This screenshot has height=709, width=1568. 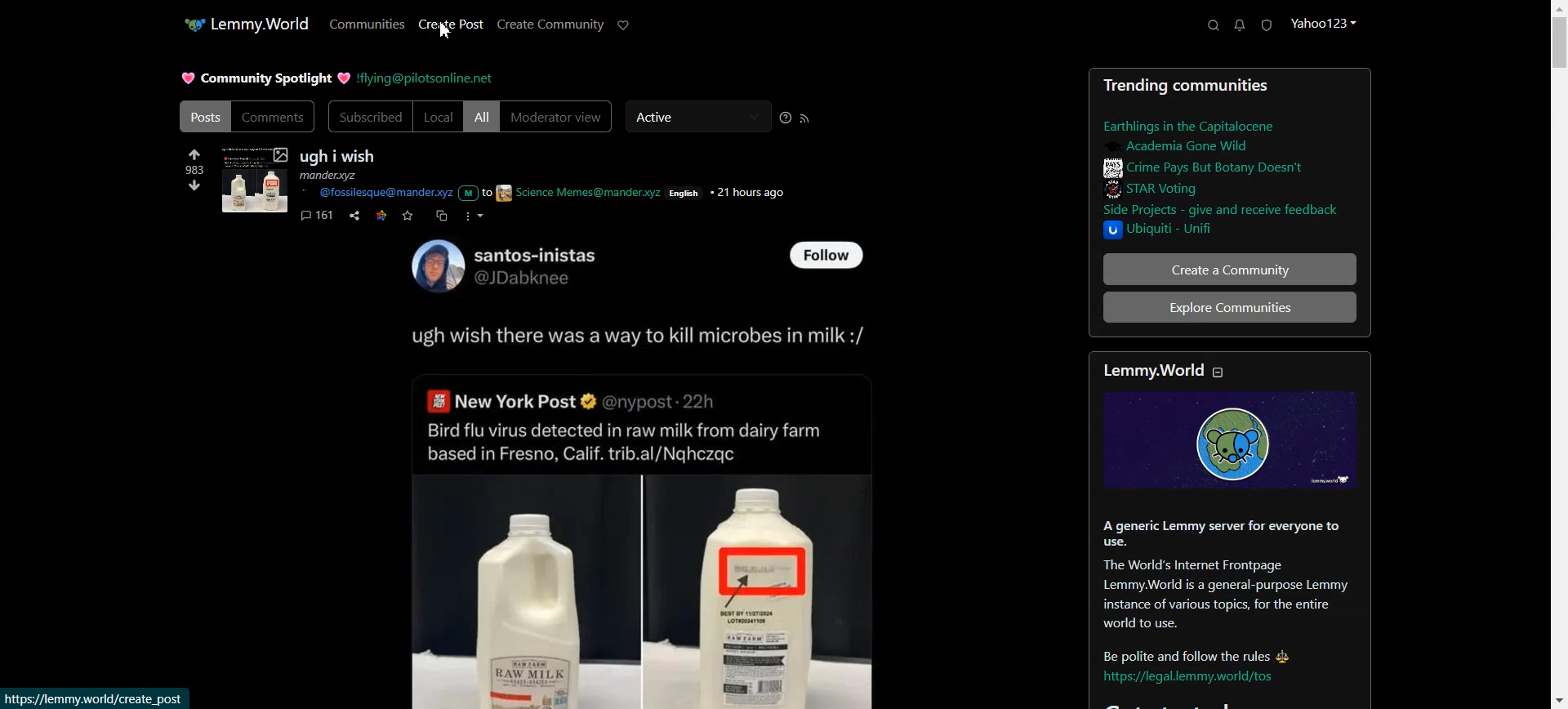 What do you see at coordinates (367, 116) in the screenshot?
I see `Subscribed` at bounding box center [367, 116].